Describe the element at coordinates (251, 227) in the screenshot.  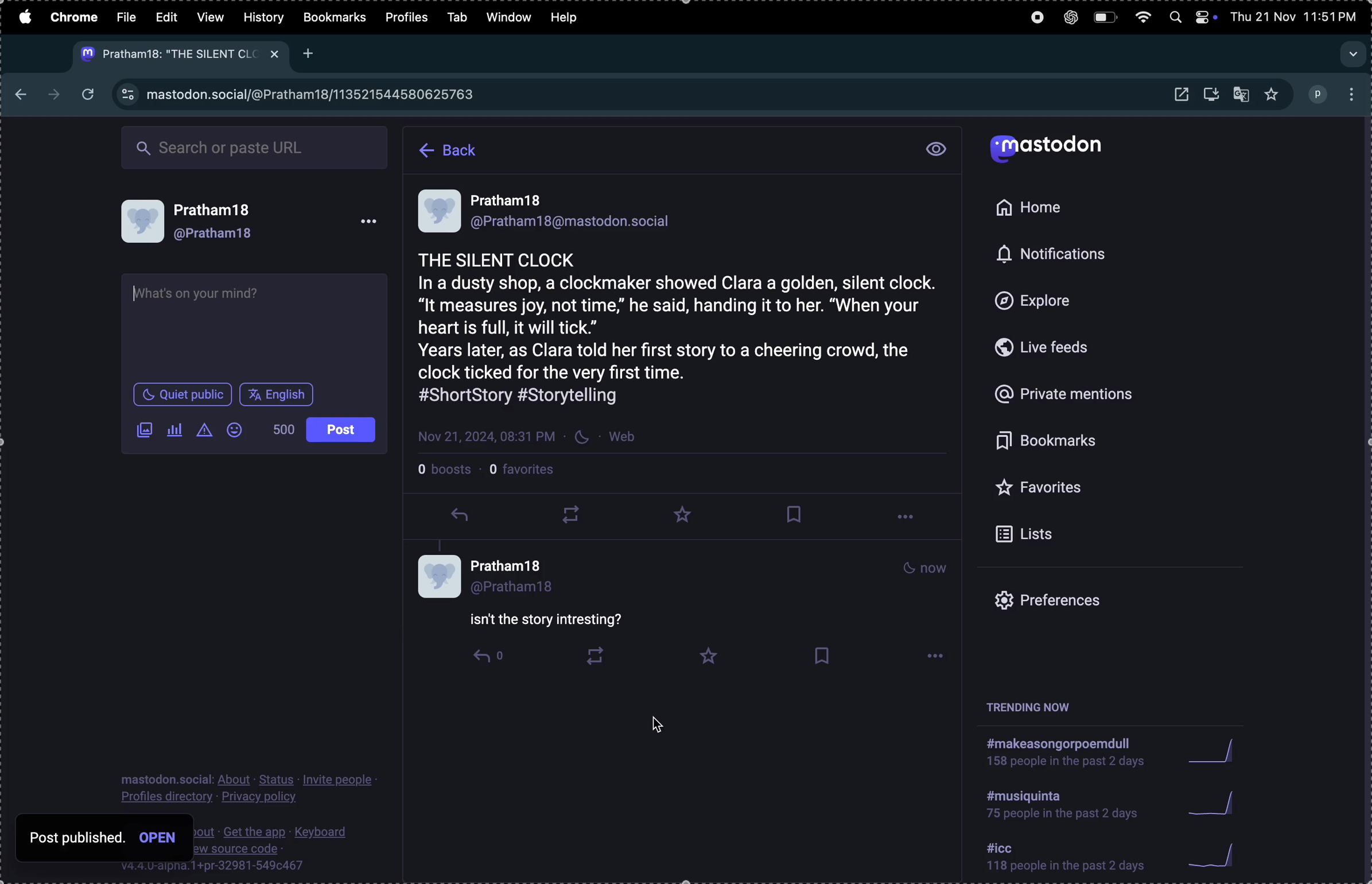
I see `profile` at that location.